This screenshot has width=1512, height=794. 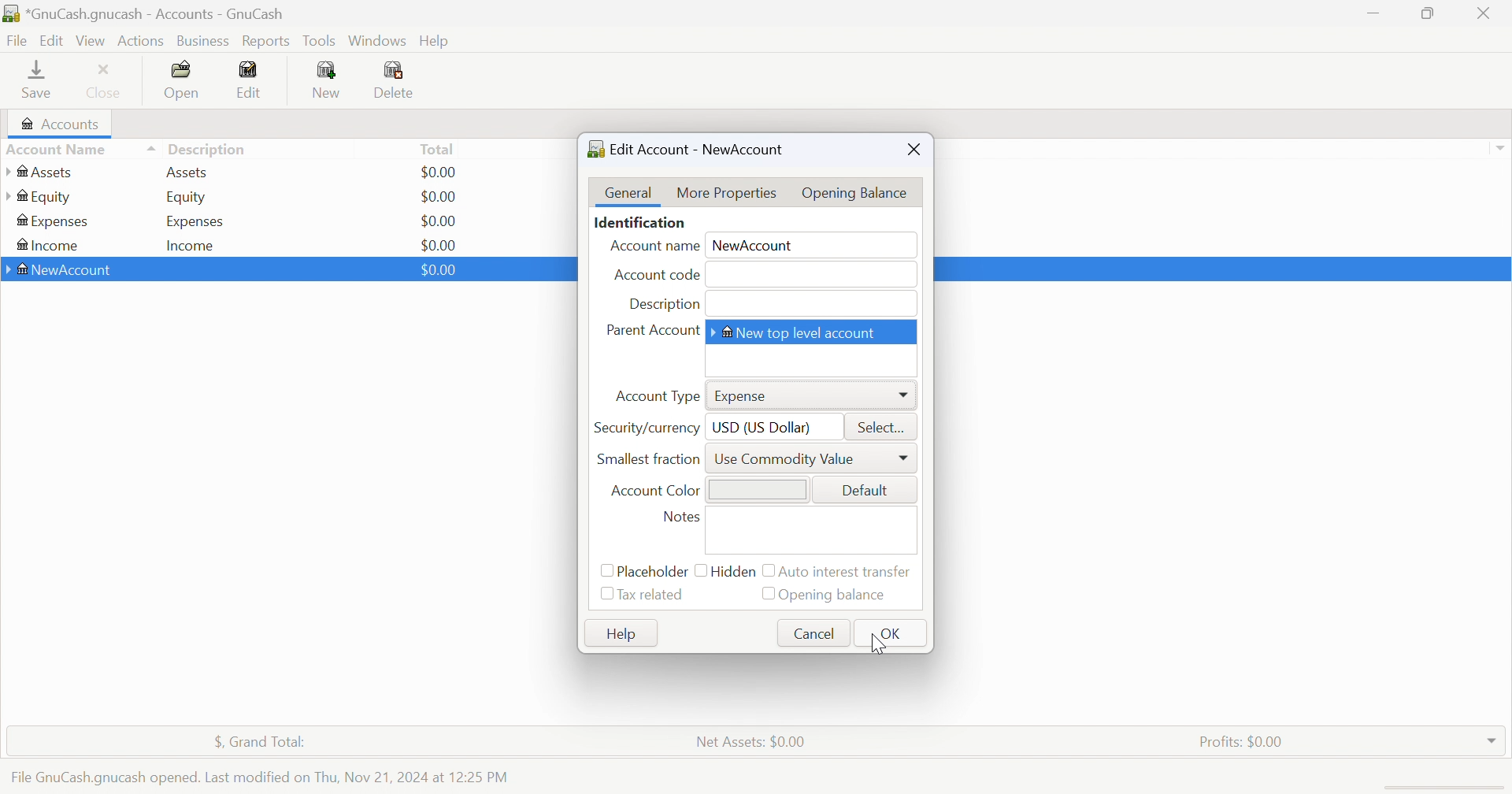 I want to click on Tools, so click(x=321, y=40).